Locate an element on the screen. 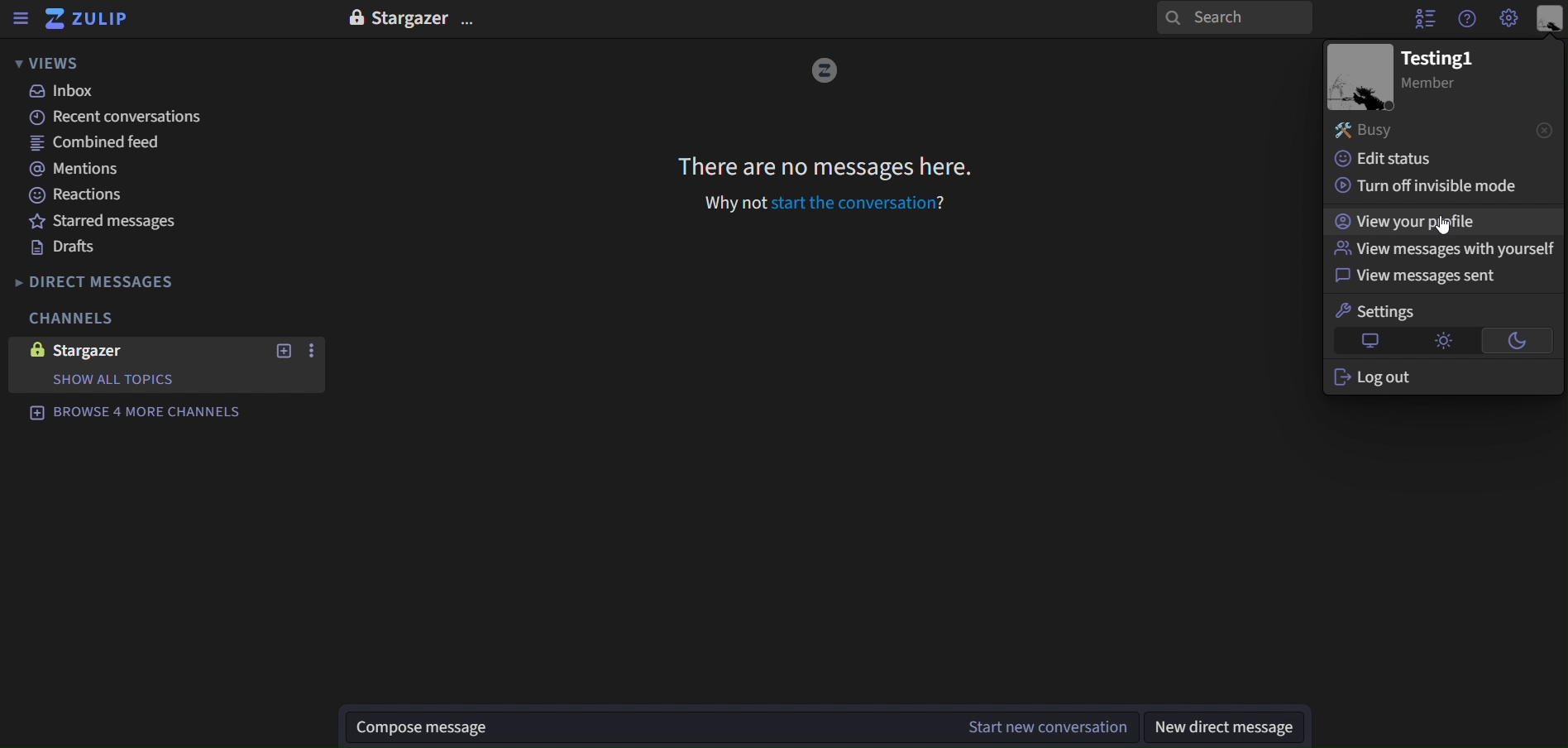 Image resolution: width=1568 pixels, height=748 pixels. view your profile is located at coordinates (1428, 221).